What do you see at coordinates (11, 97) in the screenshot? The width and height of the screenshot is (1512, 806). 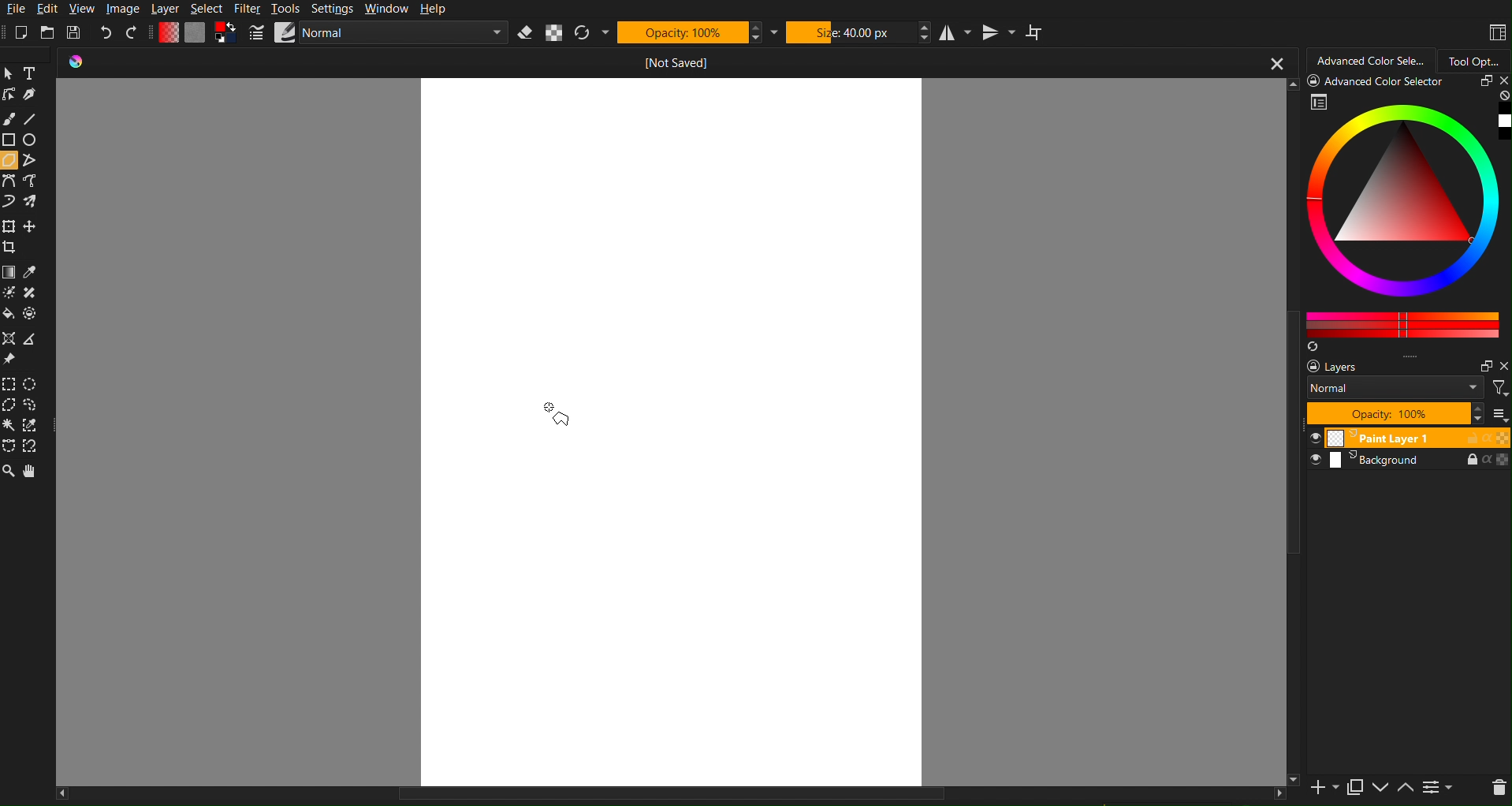 I see `edit shapes tool` at bounding box center [11, 97].